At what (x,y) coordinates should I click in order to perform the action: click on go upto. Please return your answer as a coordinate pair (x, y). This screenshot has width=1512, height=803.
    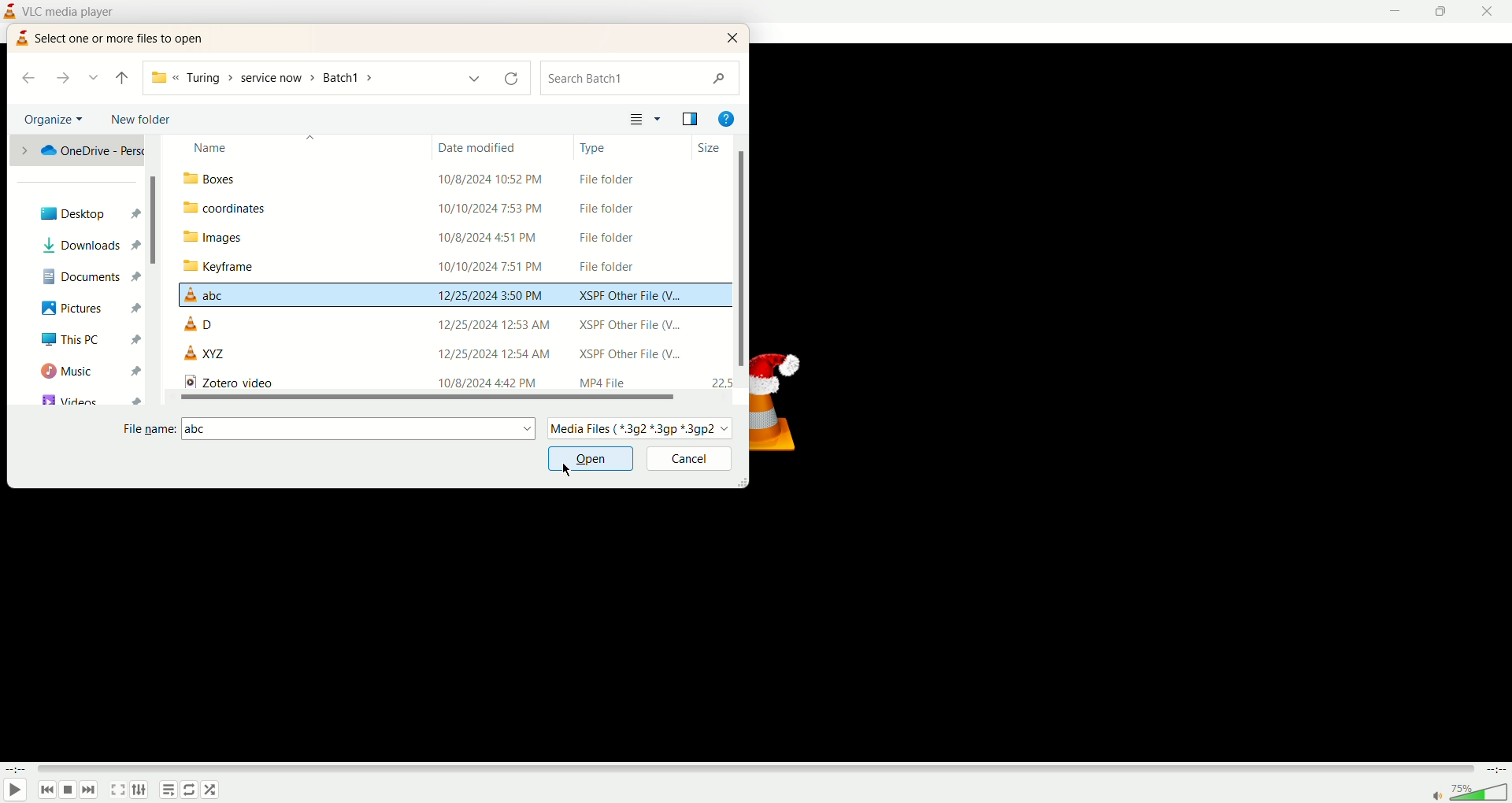
    Looking at the image, I should click on (122, 79).